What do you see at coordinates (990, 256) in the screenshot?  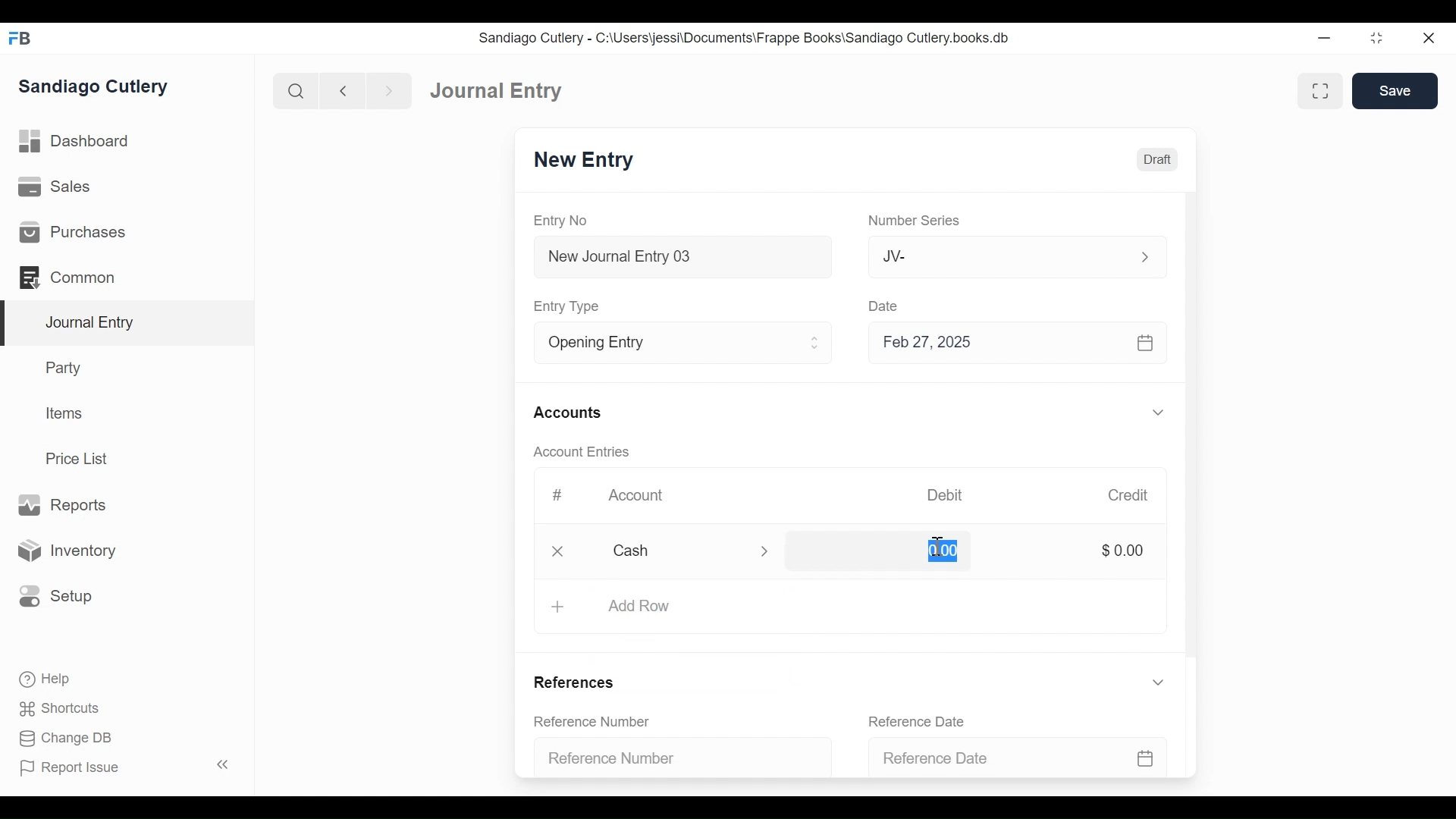 I see `JV-` at bounding box center [990, 256].